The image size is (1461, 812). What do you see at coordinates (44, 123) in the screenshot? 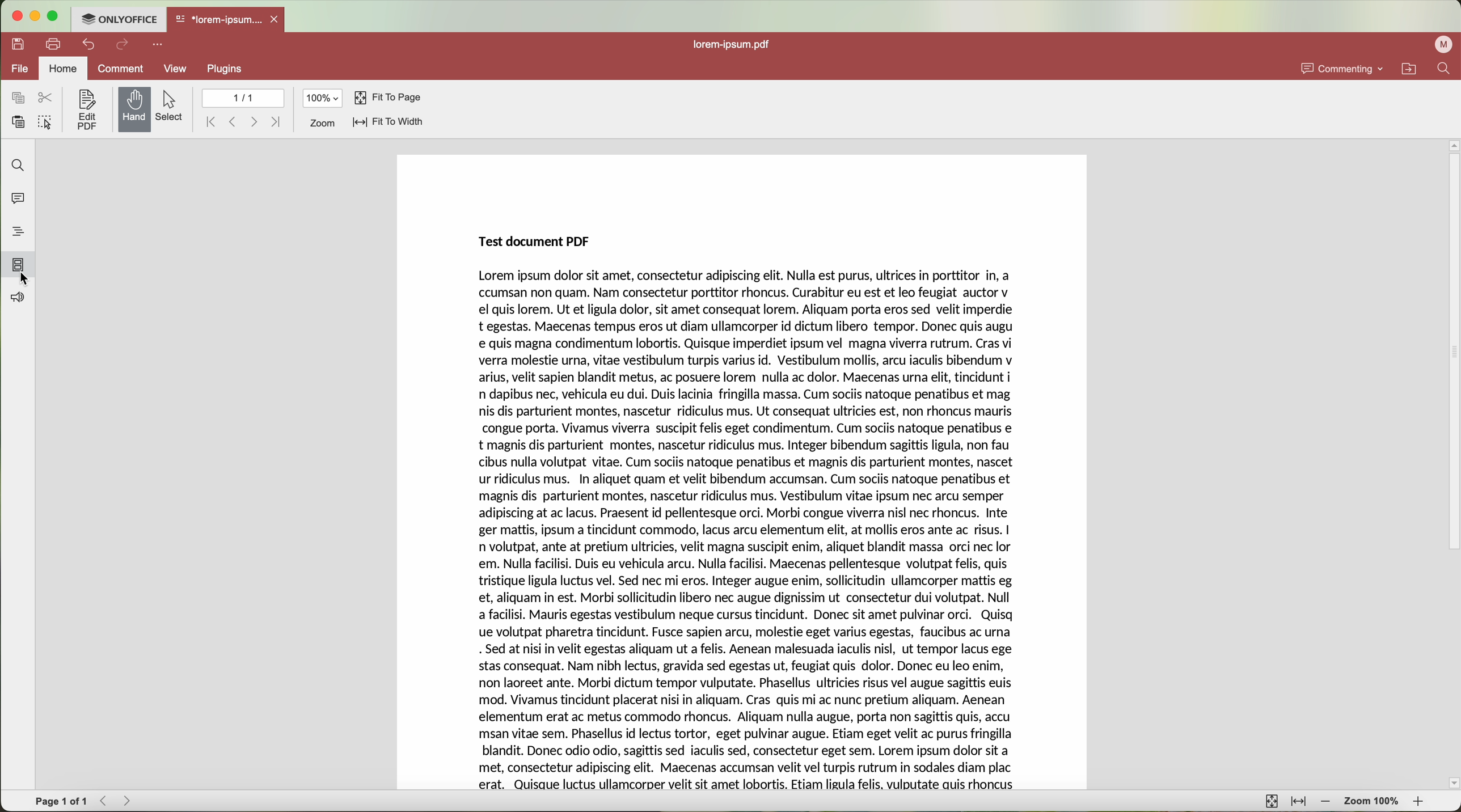
I see `select all` at bounding box center [44, 123].